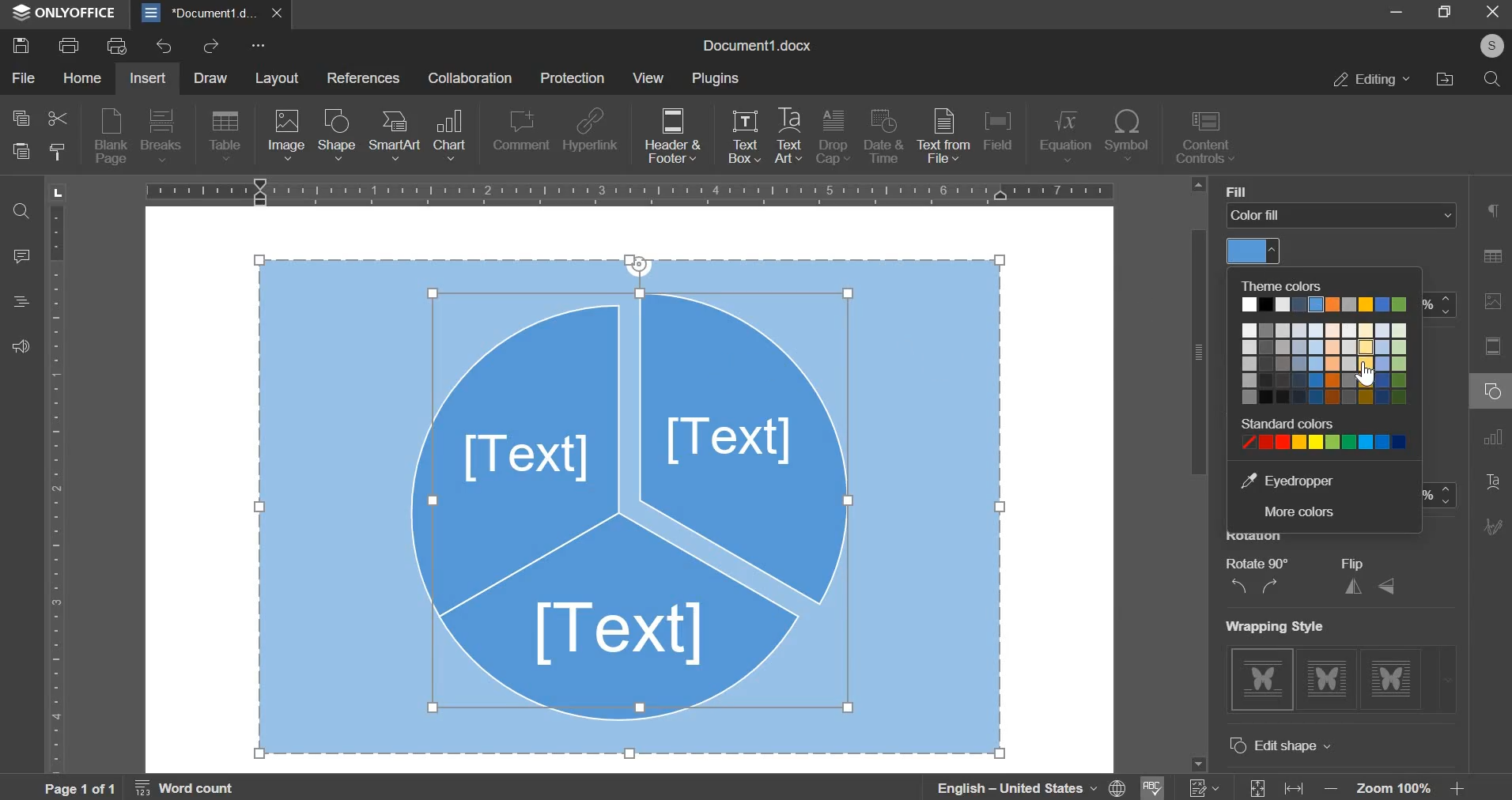  What do you see at coordinates (1302, 511) in the screenshot?
I see `more colors` at bounding box center [1302, 511].